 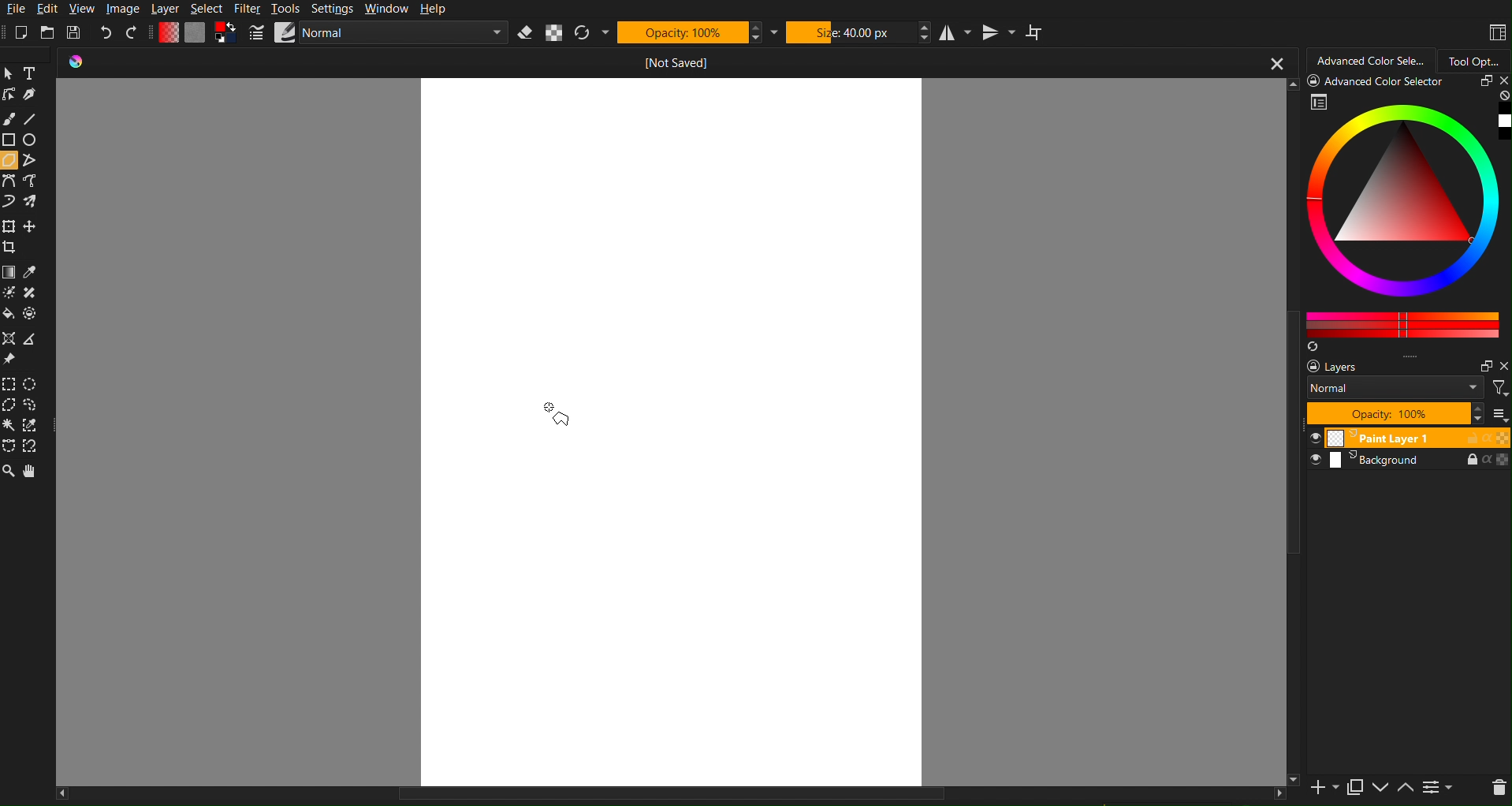 What do you see at coordinates (21, 32) in the screenshot?
I see `New` at bounding box center [21, 32].